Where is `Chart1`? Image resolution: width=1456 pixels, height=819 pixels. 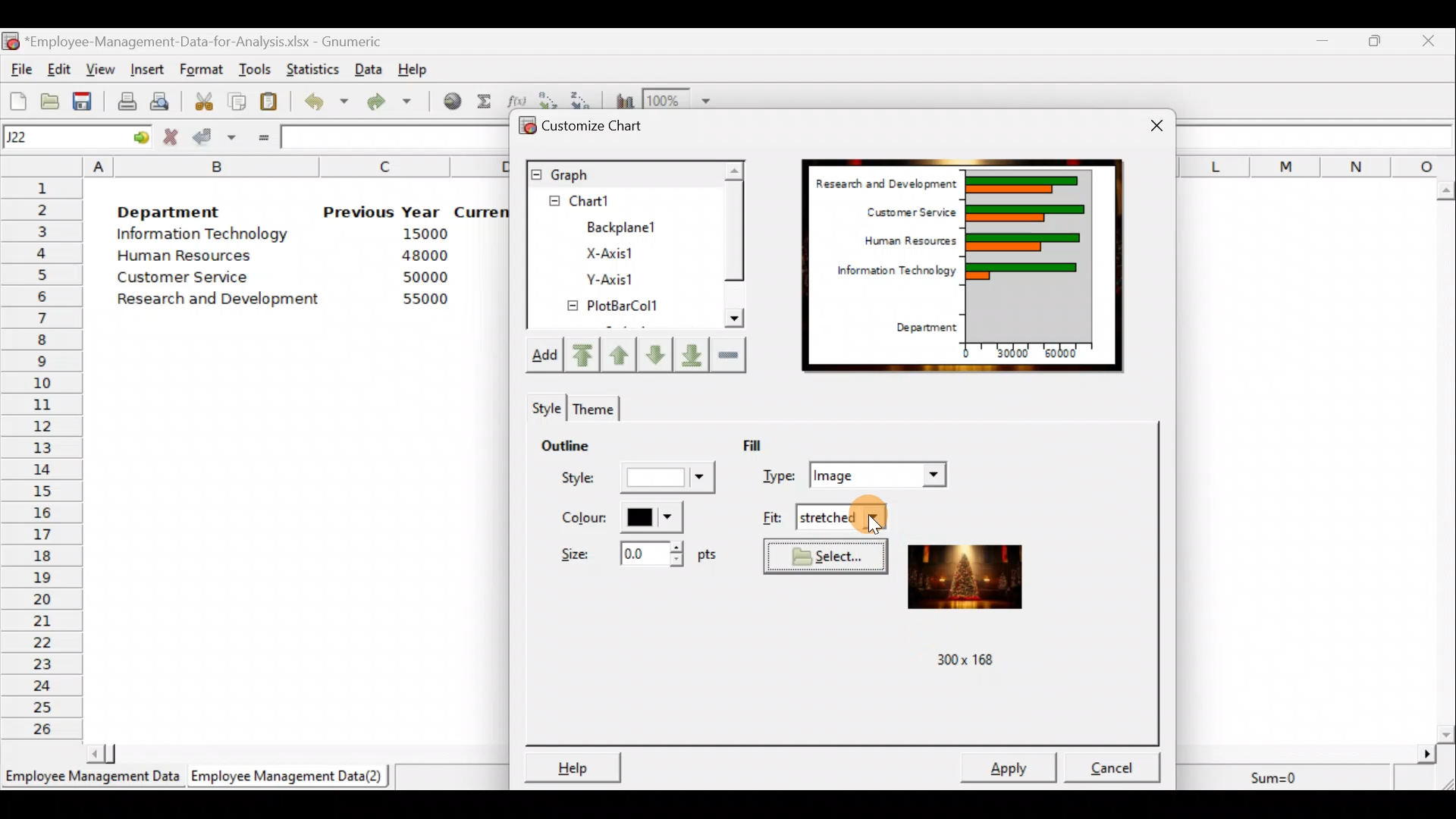
Chart1 is located at coordinates (604, 201).